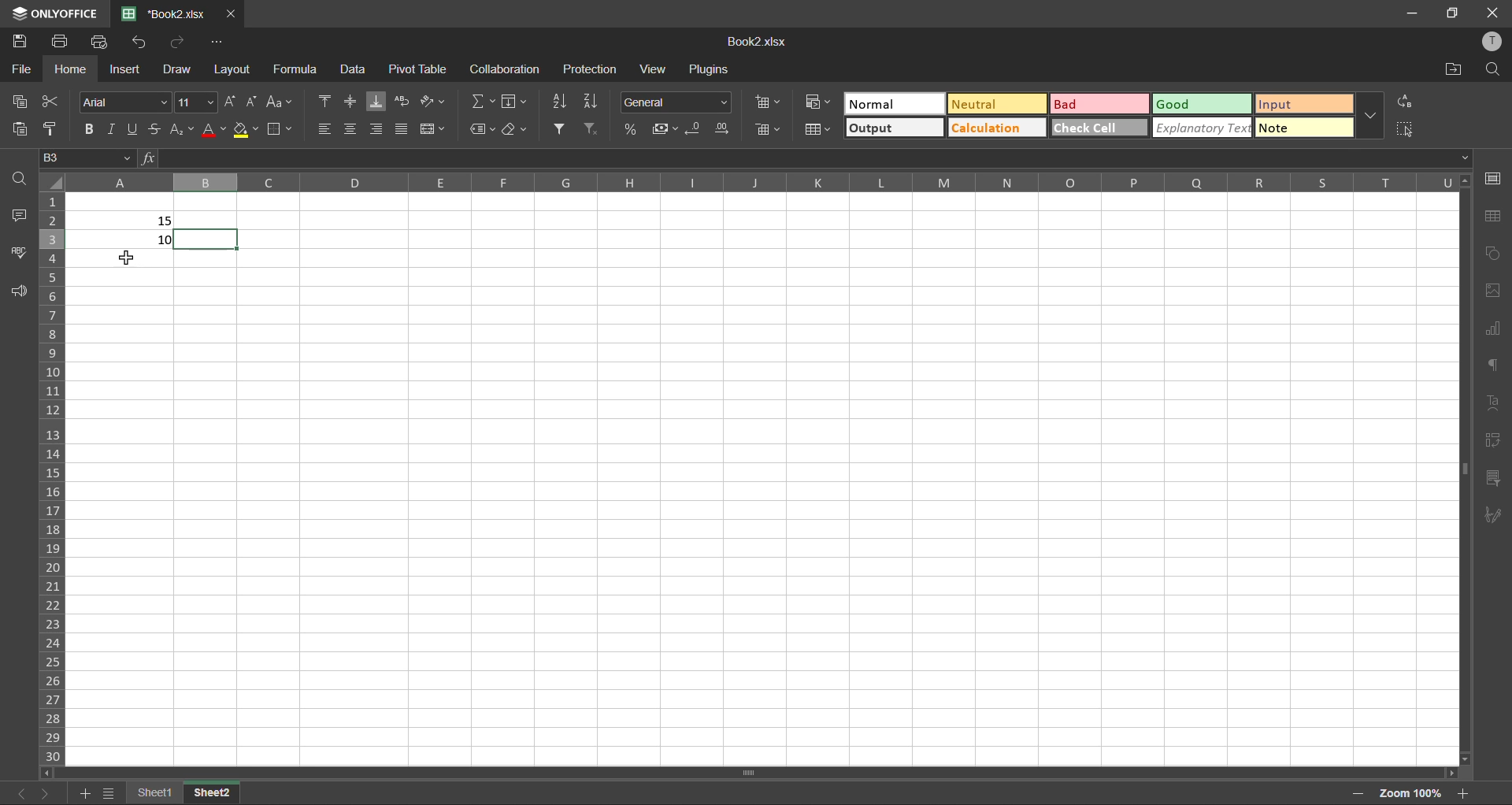 The width and height of the screenshot is (1512, 805). What do you see at coordinates (1492, 177) in the screenshot?
I see `cell settings` at bounding box center [1492, 177].